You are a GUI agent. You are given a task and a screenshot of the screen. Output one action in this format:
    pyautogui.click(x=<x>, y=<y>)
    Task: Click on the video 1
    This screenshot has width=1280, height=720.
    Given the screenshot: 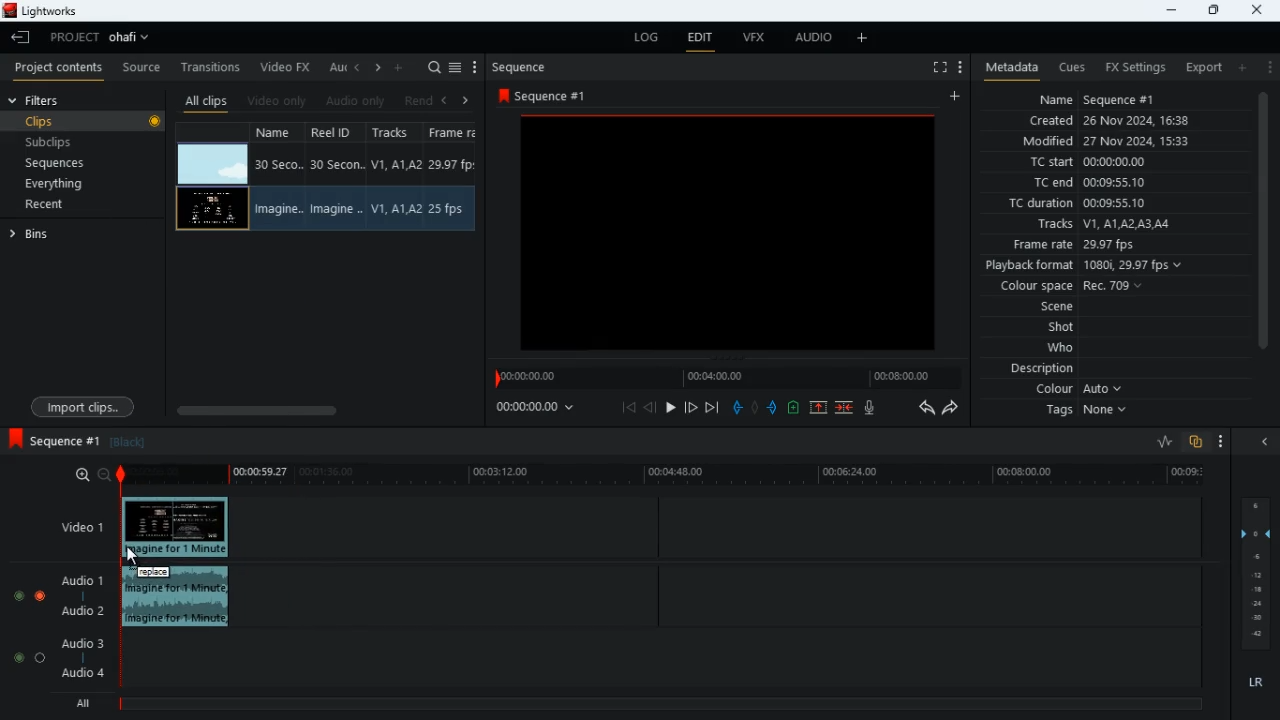 What is the action you would take?
    pyautogui.click(x=75, y=526)
    